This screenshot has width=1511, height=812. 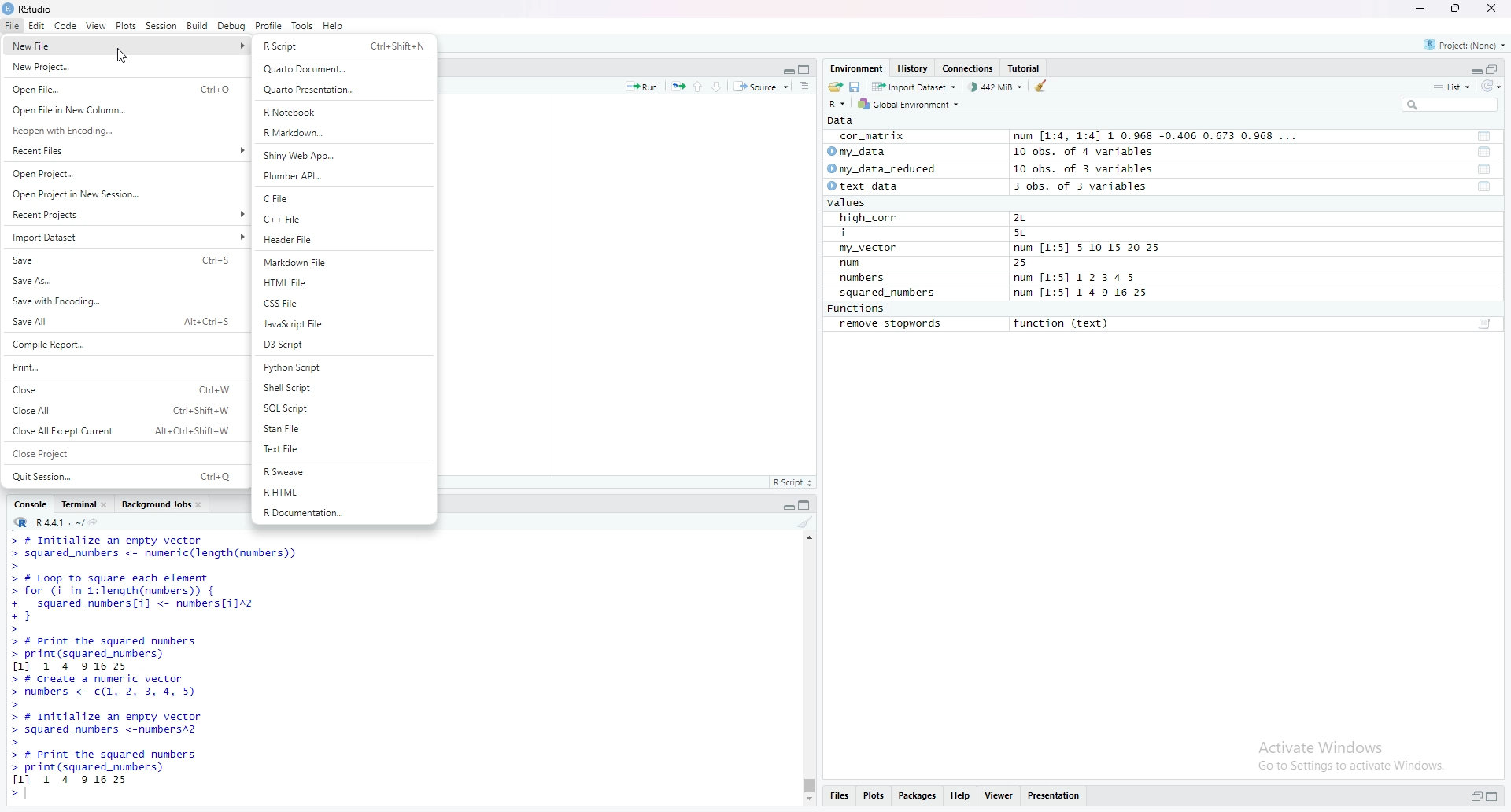 I want to click on Down, so click(x=722, y=85).